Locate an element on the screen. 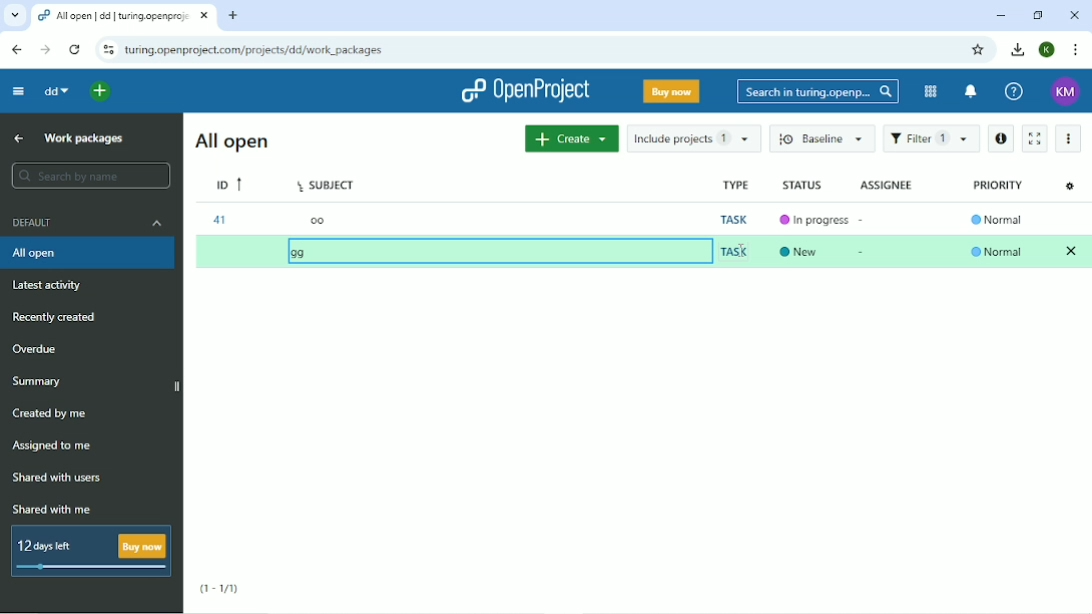  Summary is located at coordinates (37, 381).